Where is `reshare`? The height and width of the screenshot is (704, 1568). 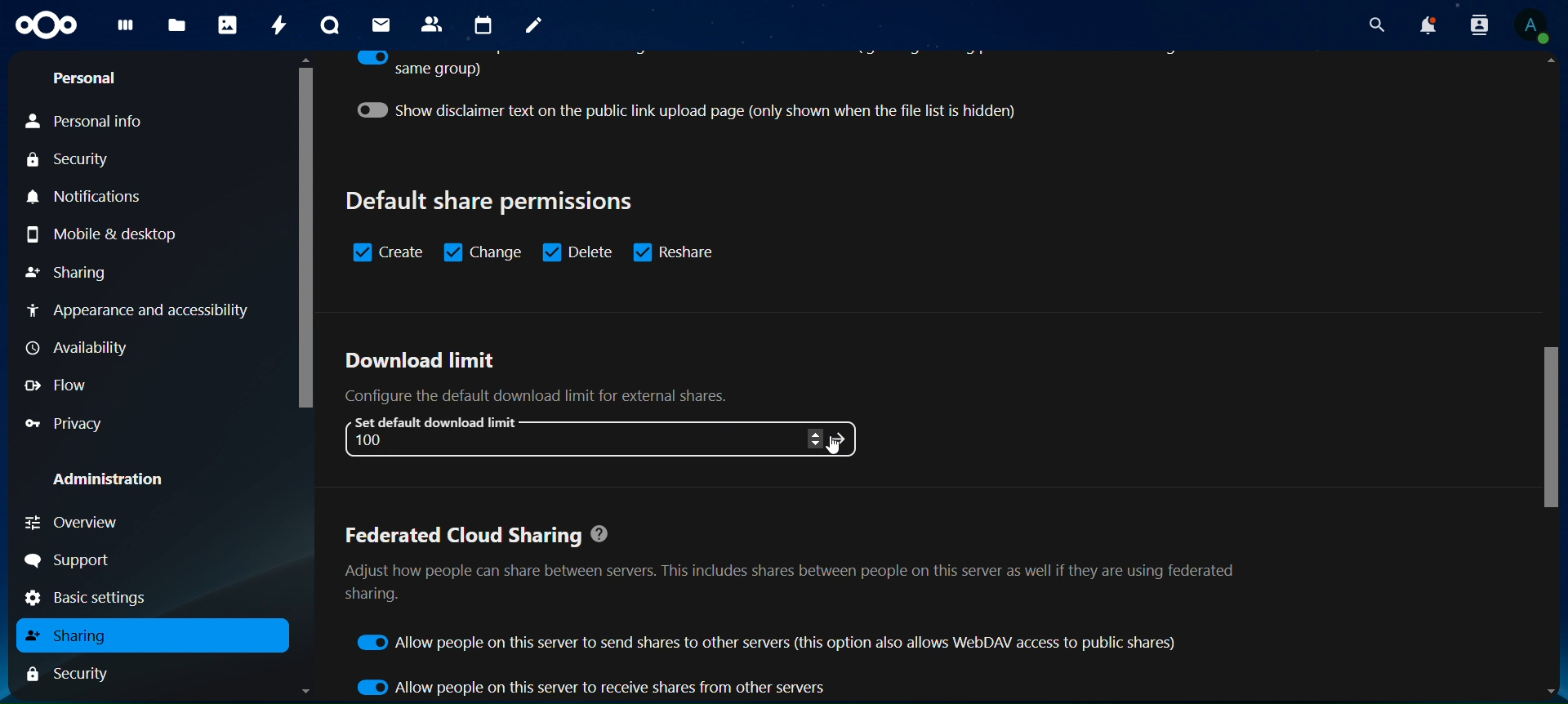 reshare is located at coordinates (681, 251).